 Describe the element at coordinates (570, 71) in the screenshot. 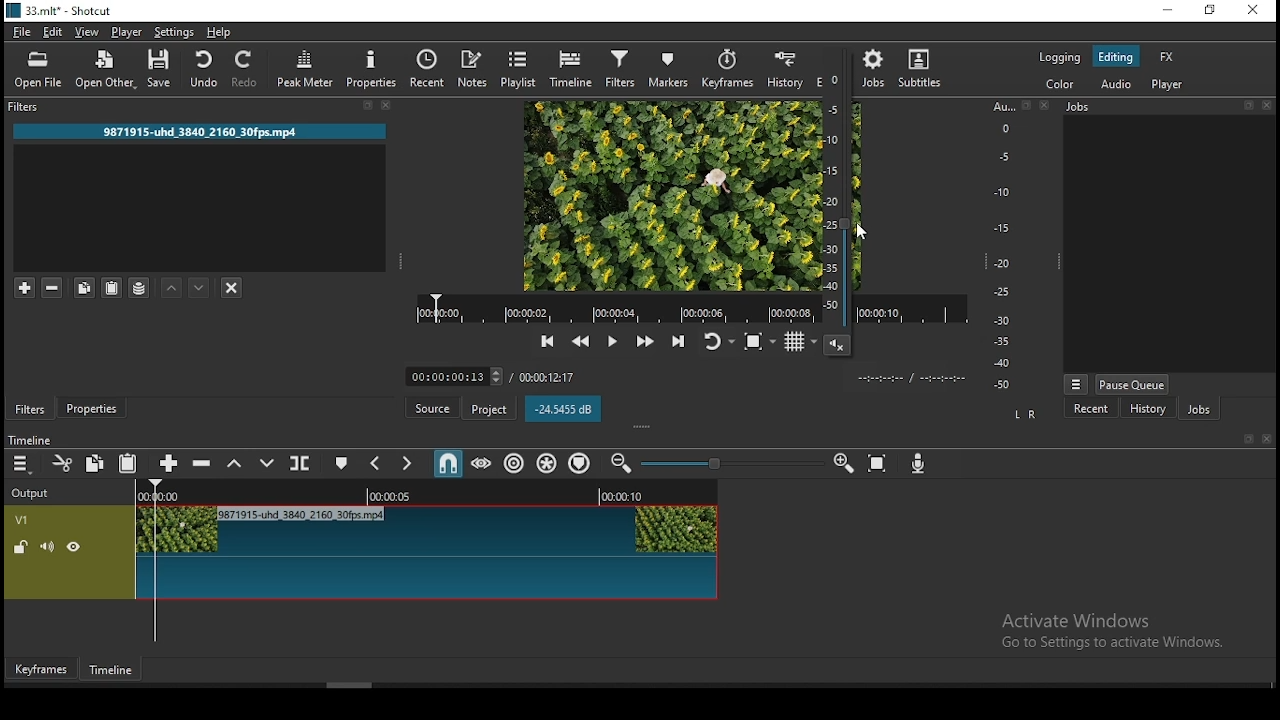

I see `timeline` at that location.